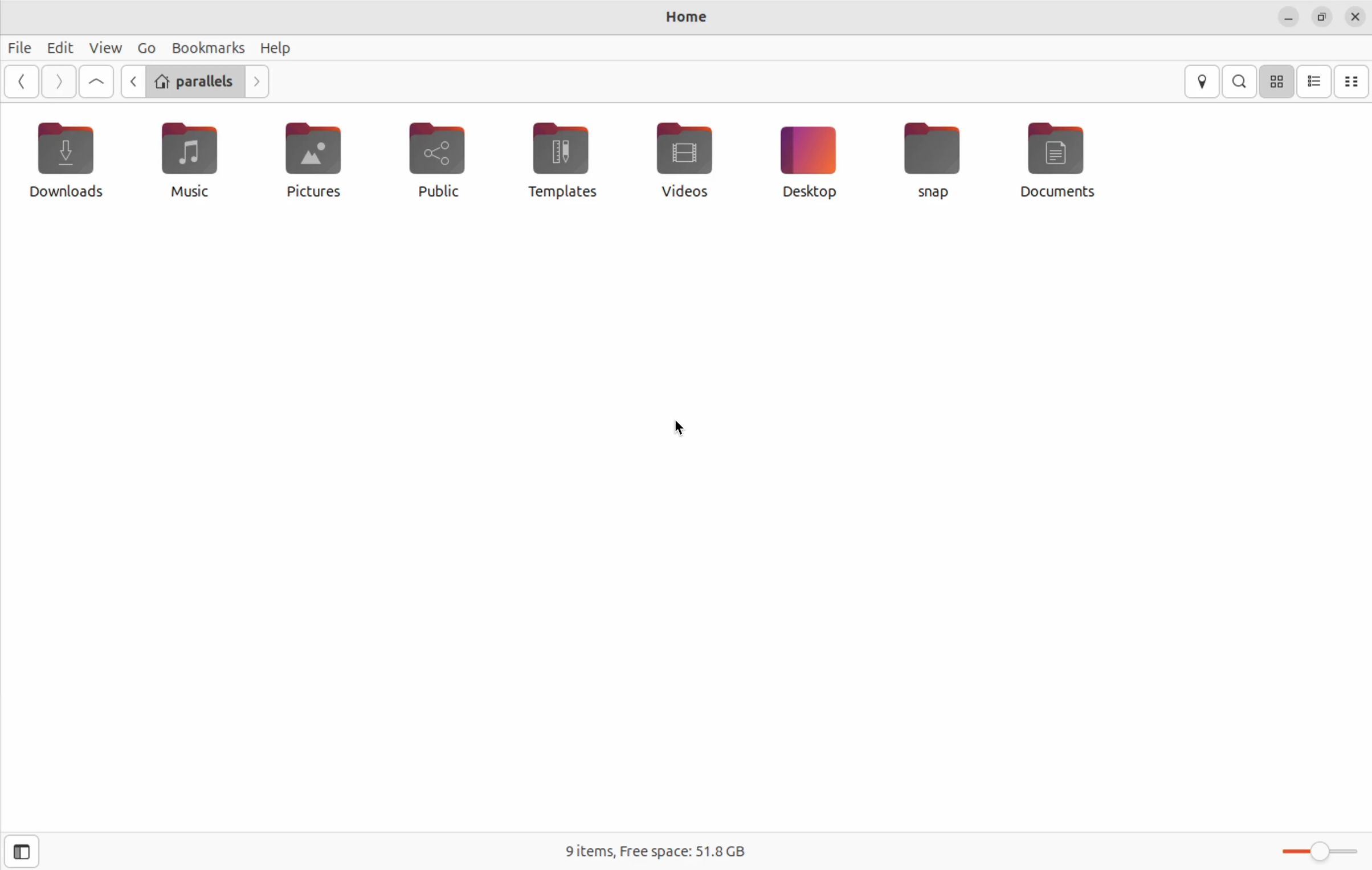 The width and height of the screenshot is (1372, 870). I want to click on Go previous, so click(130, 82).